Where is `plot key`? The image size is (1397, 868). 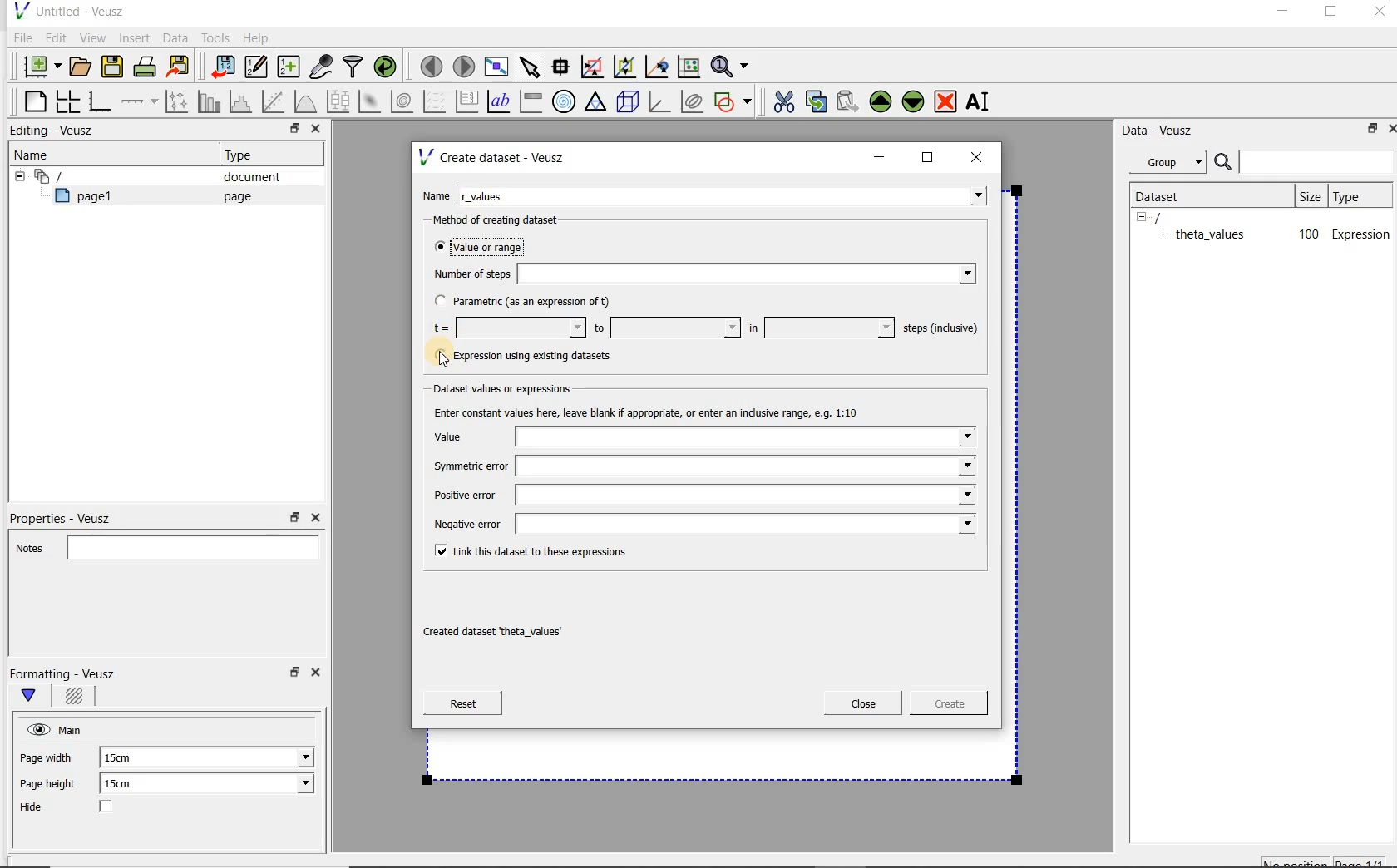 plot key is located at coordinates (468, 101).